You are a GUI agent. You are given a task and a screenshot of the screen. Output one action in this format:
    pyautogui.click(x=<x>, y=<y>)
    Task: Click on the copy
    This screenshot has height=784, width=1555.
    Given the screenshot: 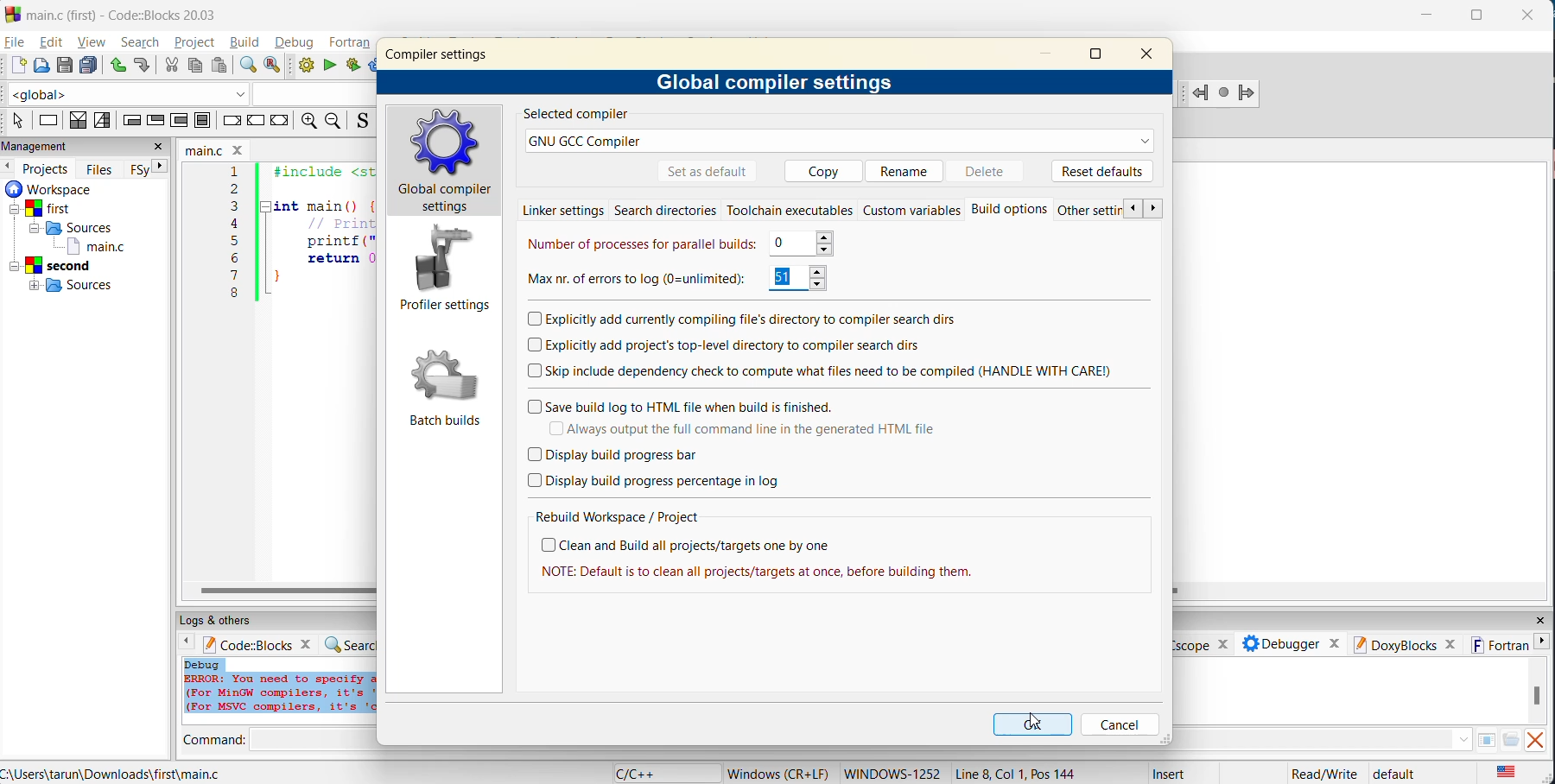 What is the action you would take?
    pyautogui.click(x=825, y=171)
    